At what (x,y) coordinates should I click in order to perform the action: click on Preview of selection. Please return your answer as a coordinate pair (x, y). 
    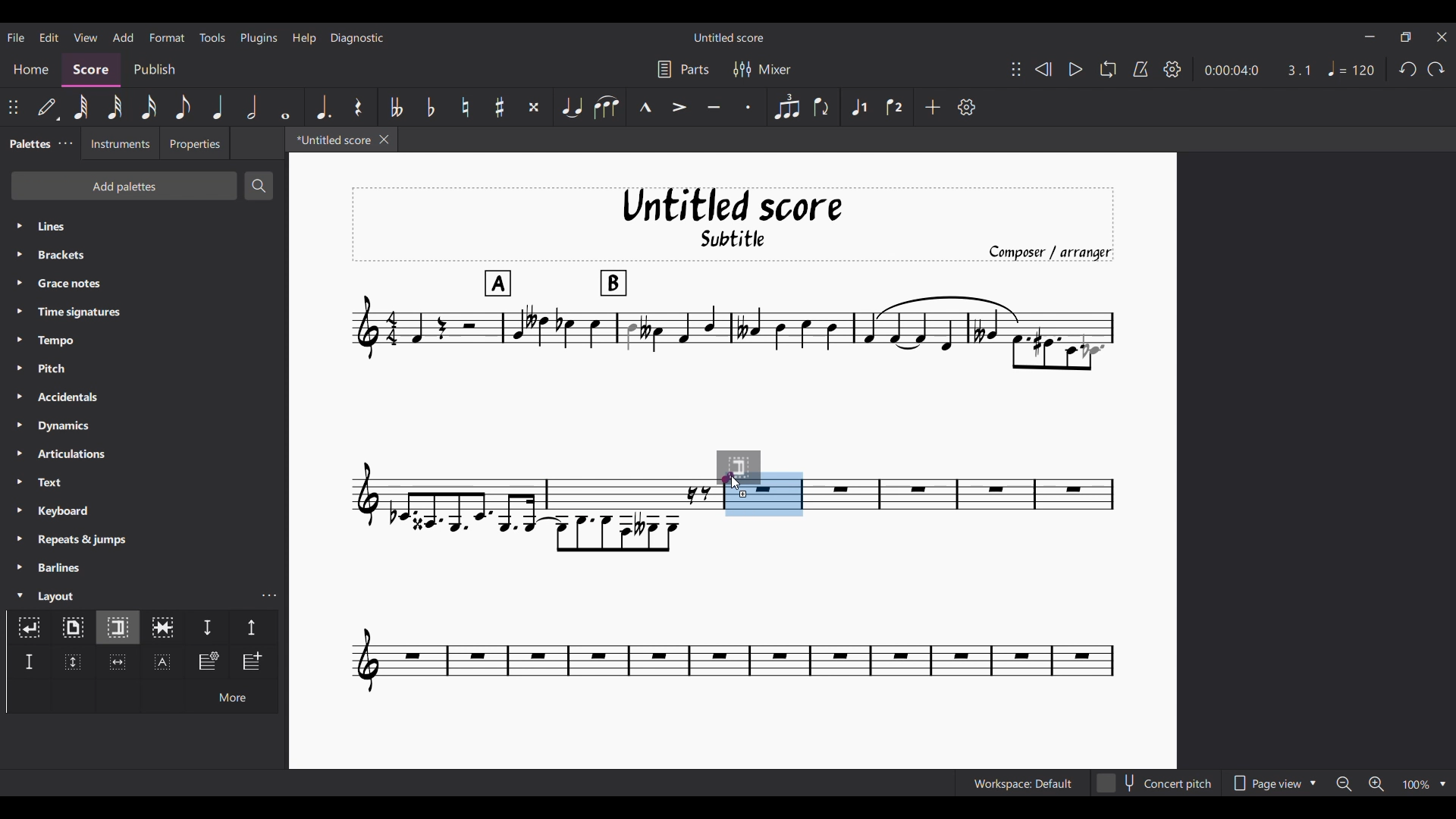
    Looking at the image, I should click on (750, 467).